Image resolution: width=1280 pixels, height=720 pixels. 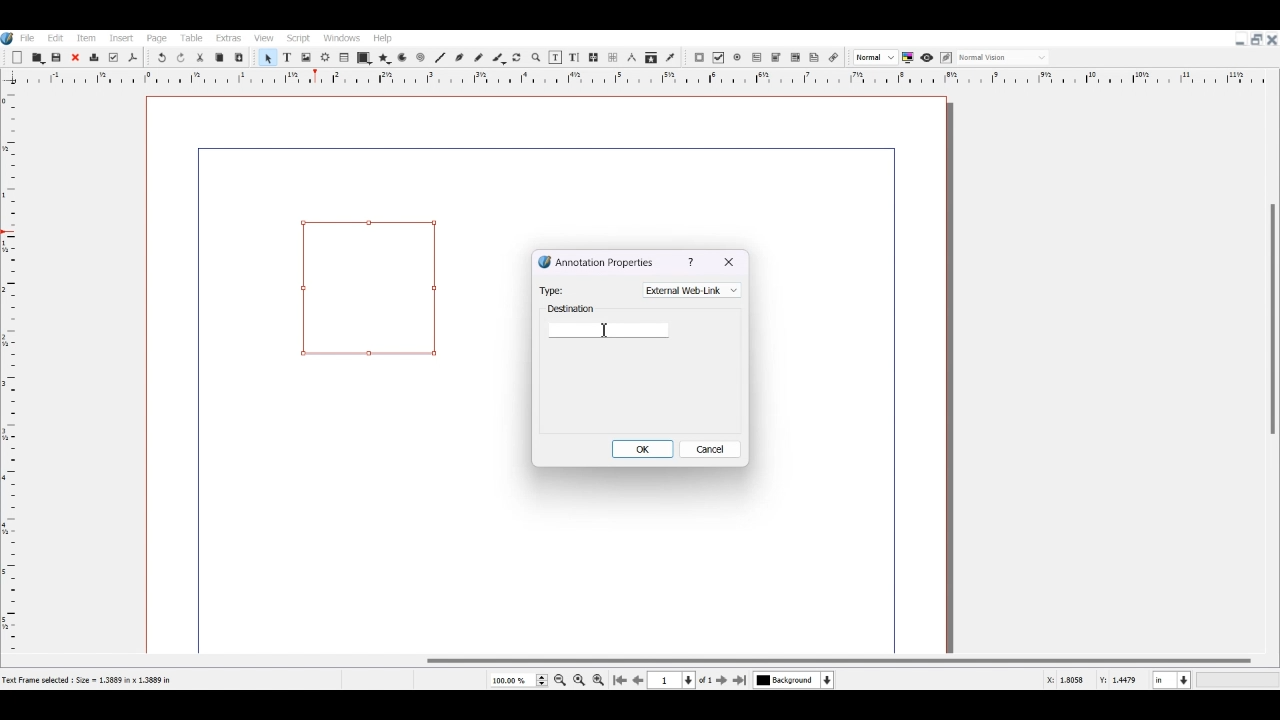 I want to click on Insert, so click(x=120, y=38).